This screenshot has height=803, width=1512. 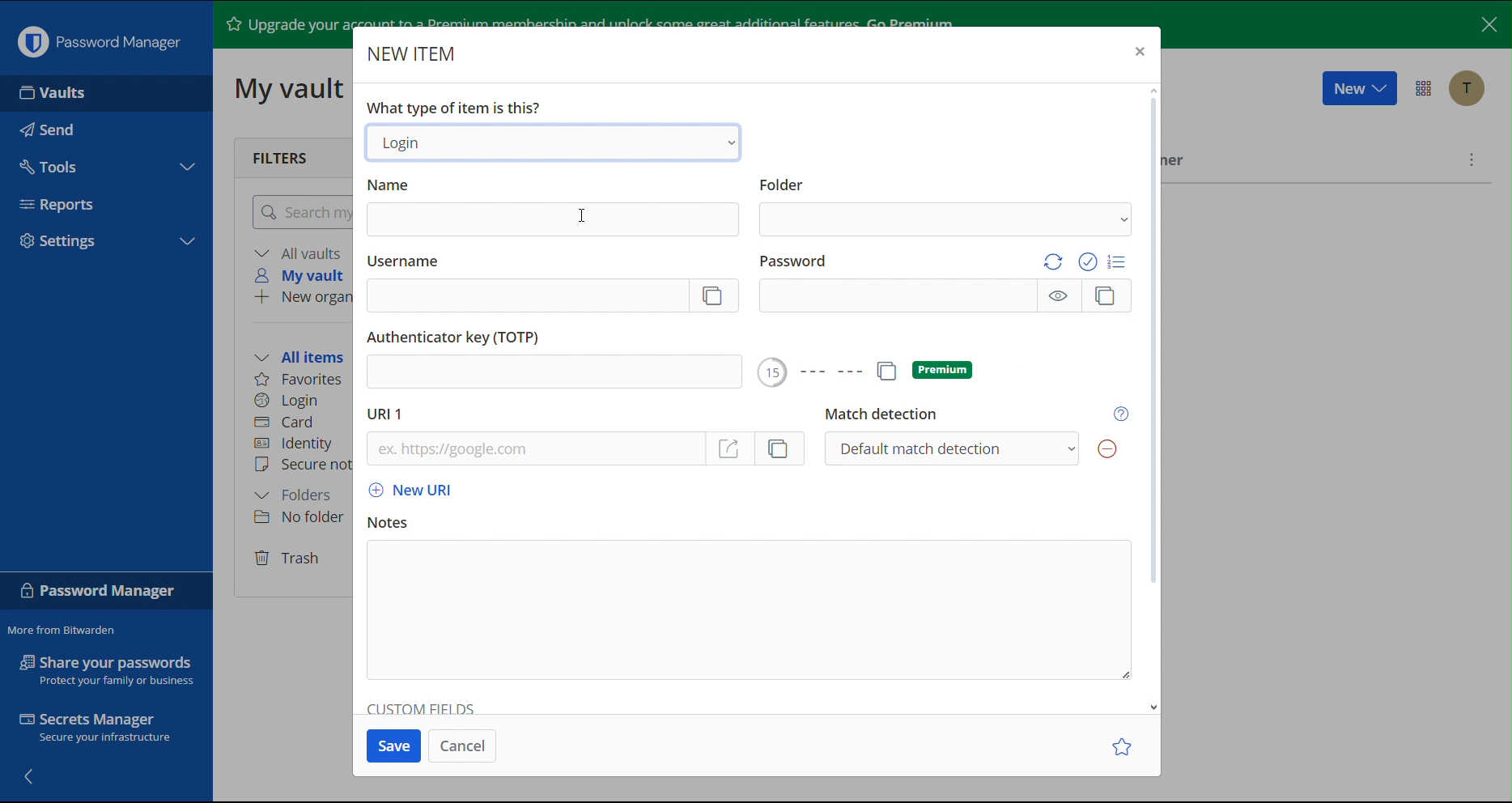 What do you see at coordinates (302, 276) in the screenshot?
I see `My vault` at bounding box center [302, 276].